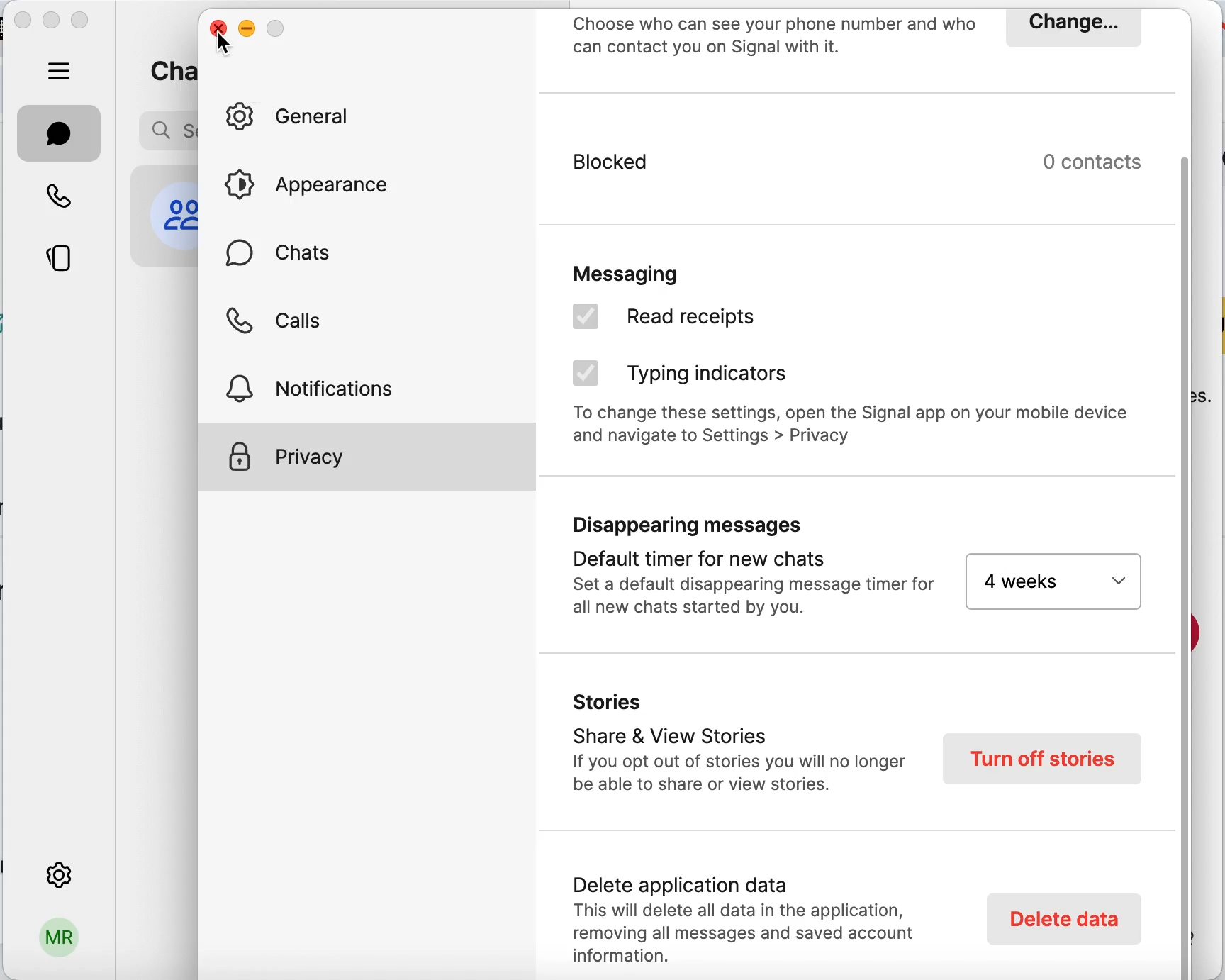 The image size is (1225, 980). I want to click on messaging, so click(670, 269).